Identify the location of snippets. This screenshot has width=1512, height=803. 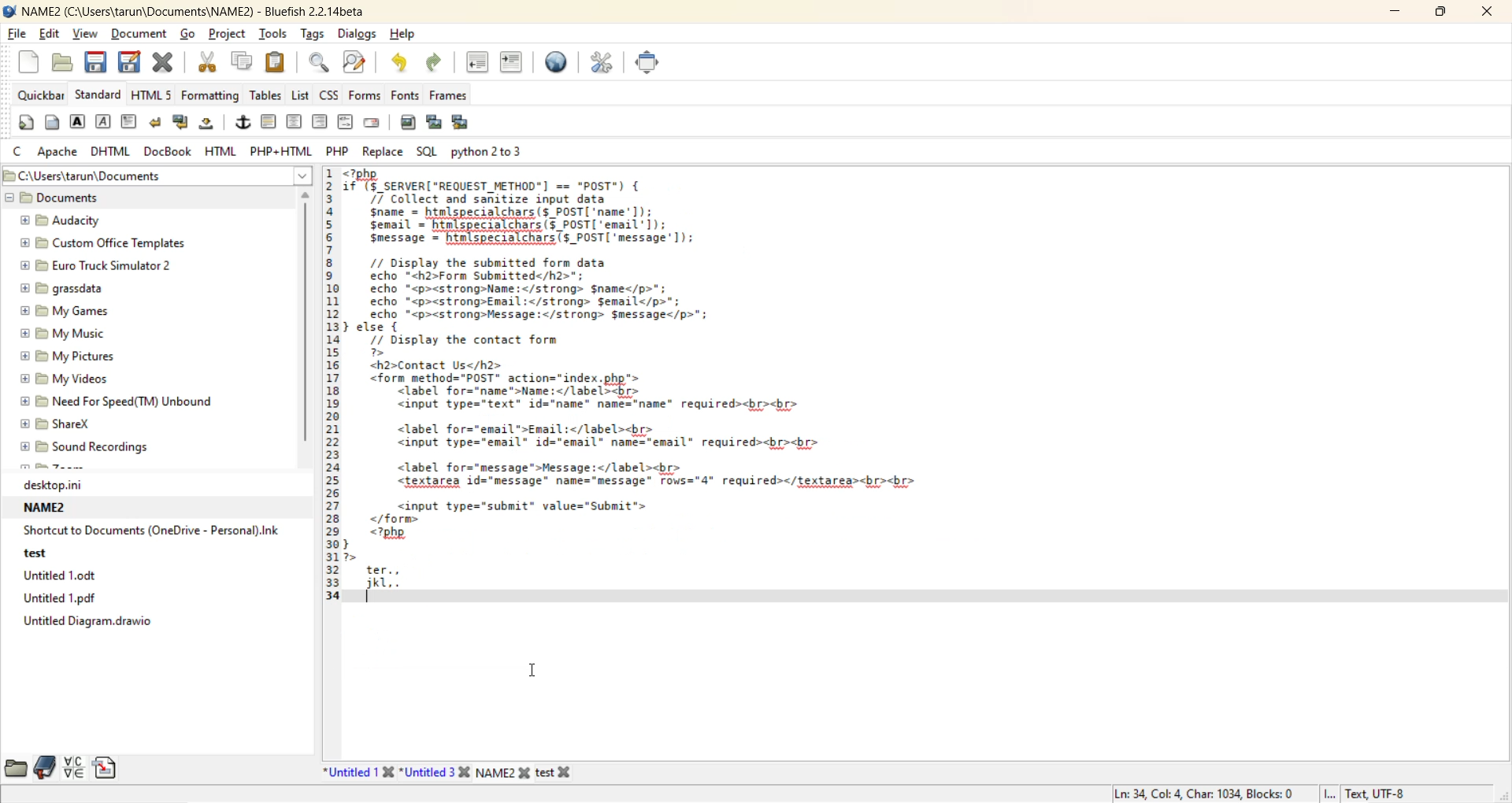
(108, 769).